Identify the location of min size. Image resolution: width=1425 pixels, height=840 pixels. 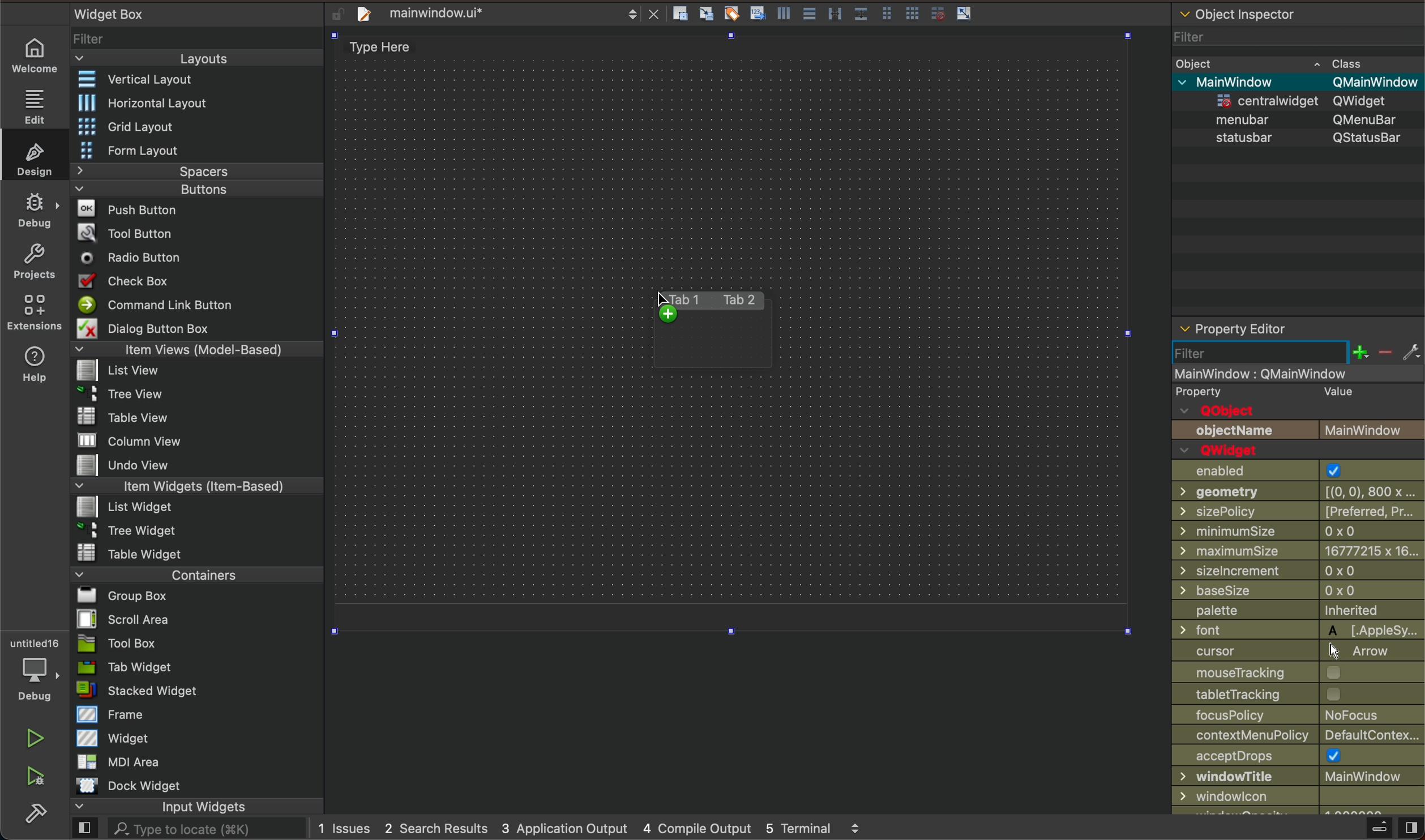
(1299, 532).